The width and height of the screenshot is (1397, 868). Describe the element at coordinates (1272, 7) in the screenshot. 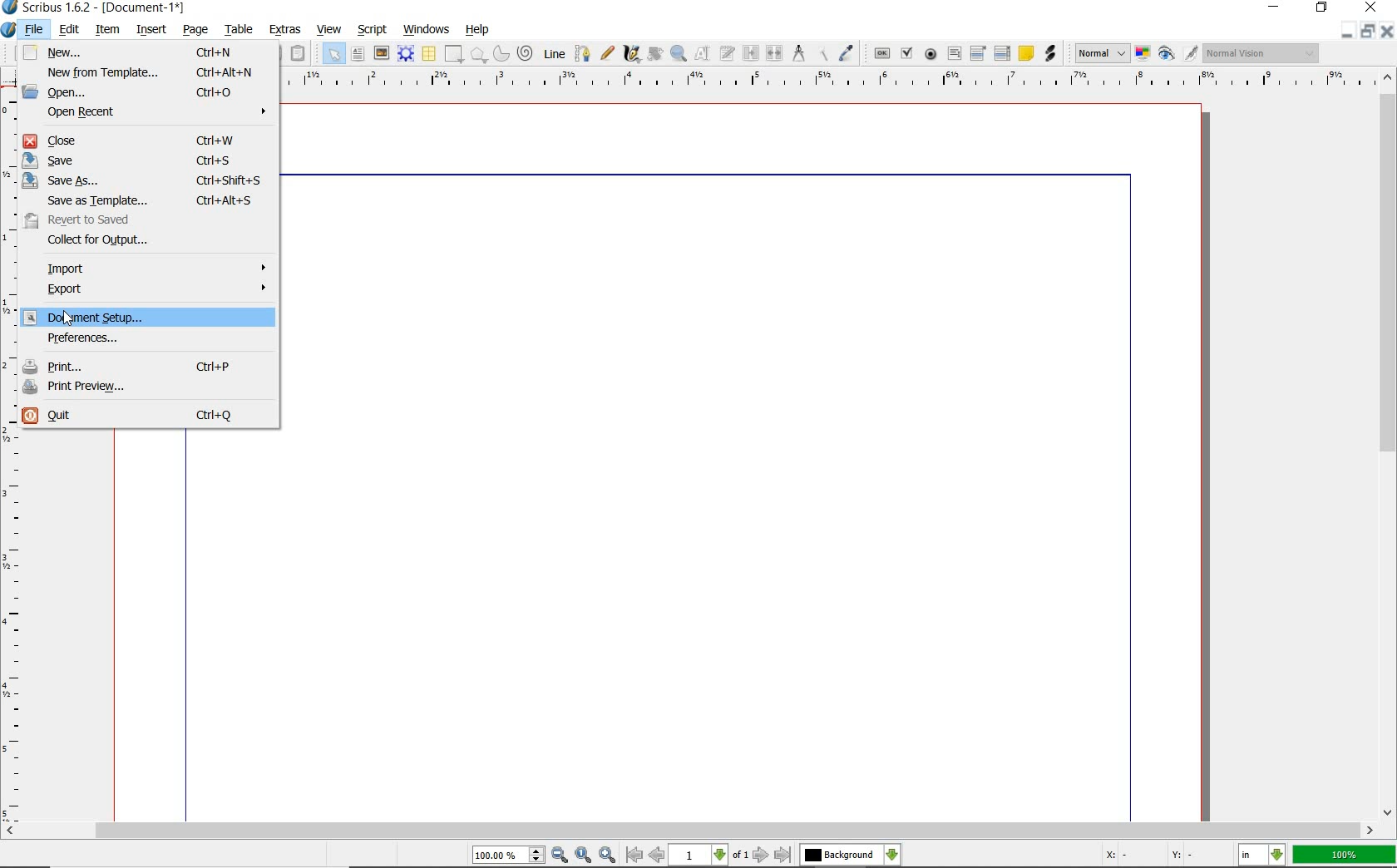

I see `minimize` at that location.